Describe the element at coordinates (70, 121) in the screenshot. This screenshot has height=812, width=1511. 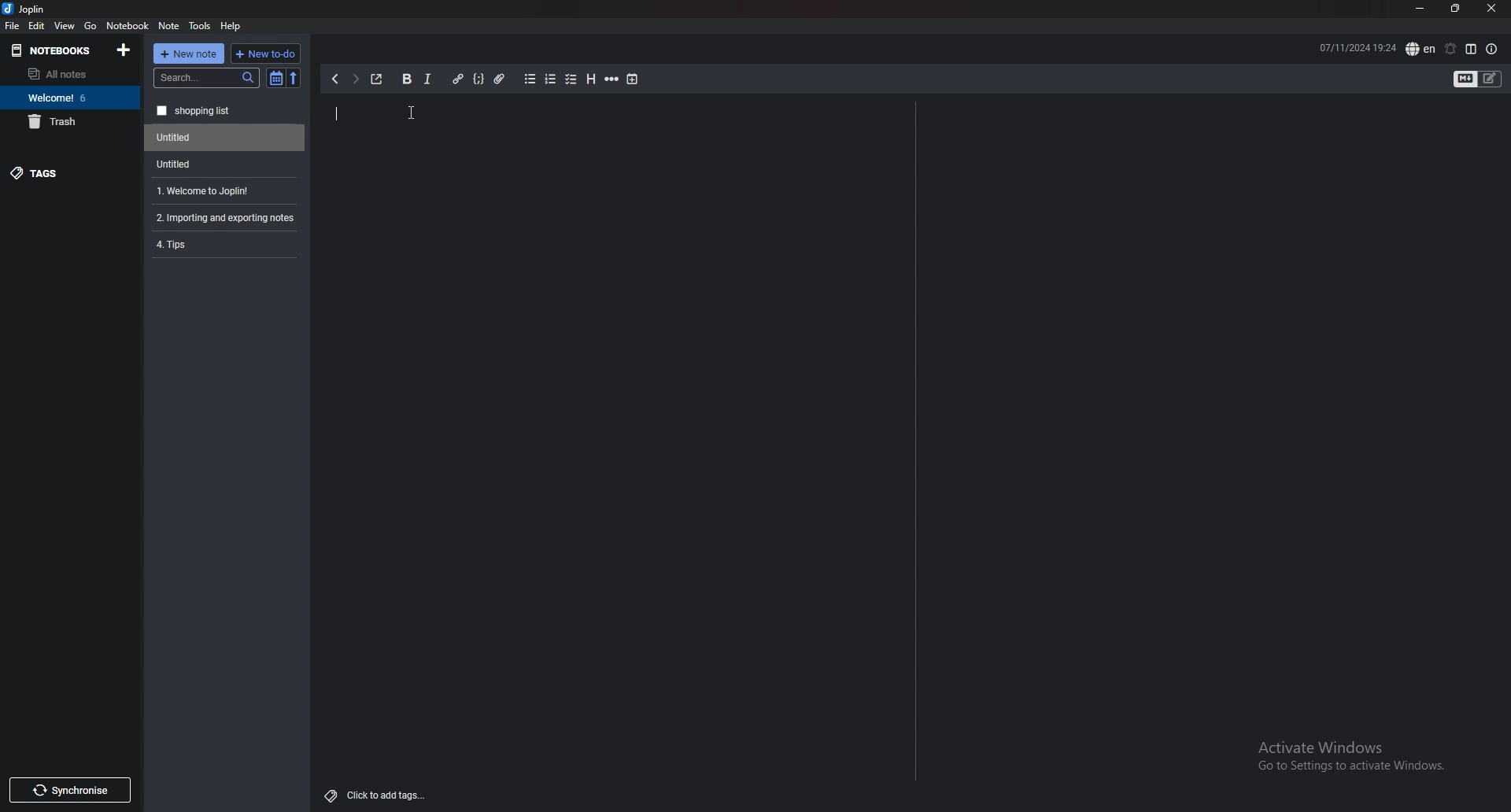
I see `trash` at that location.